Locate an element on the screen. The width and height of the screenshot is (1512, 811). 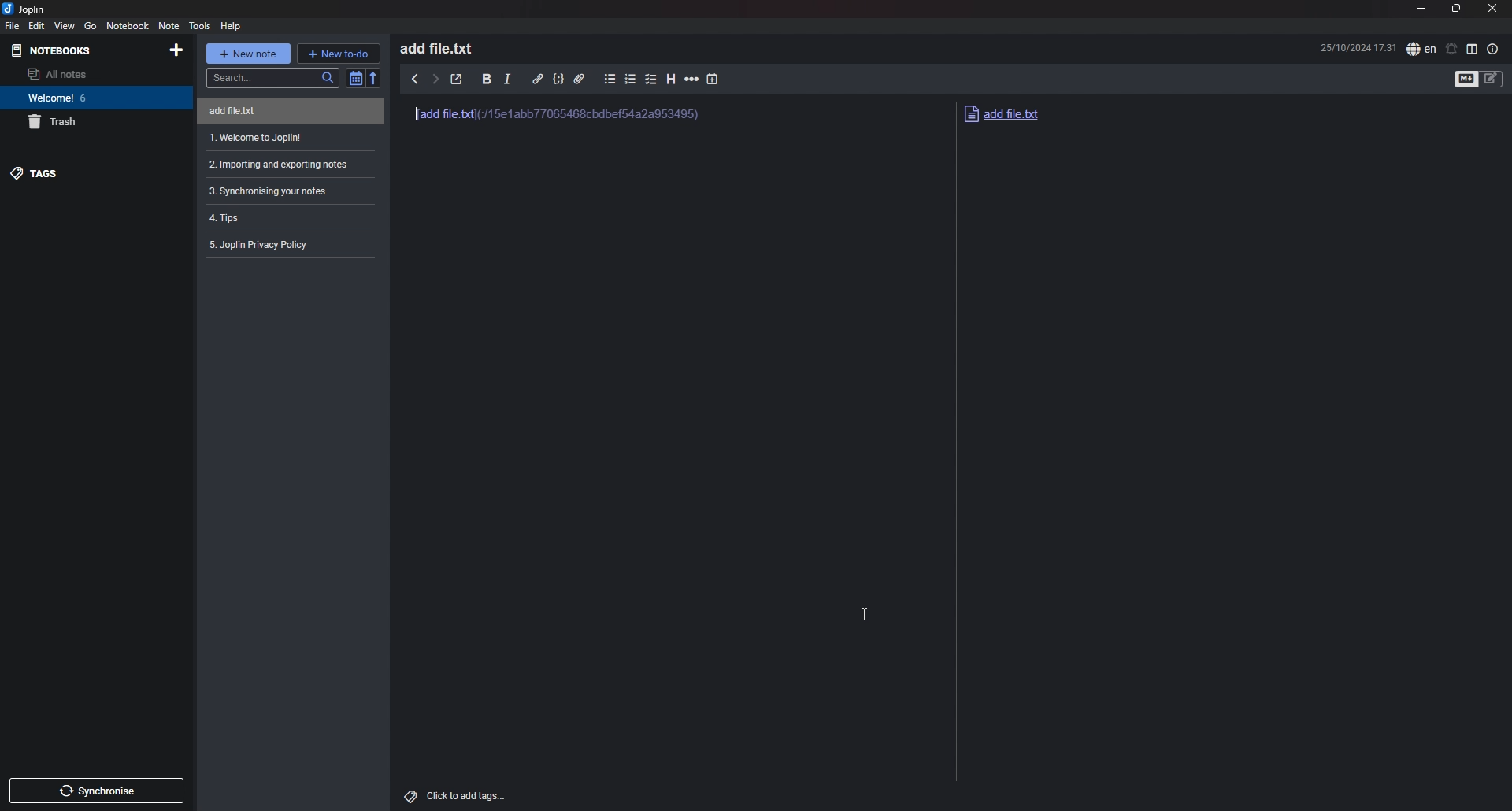
toggle editors is located at coordinates (1466, 79).